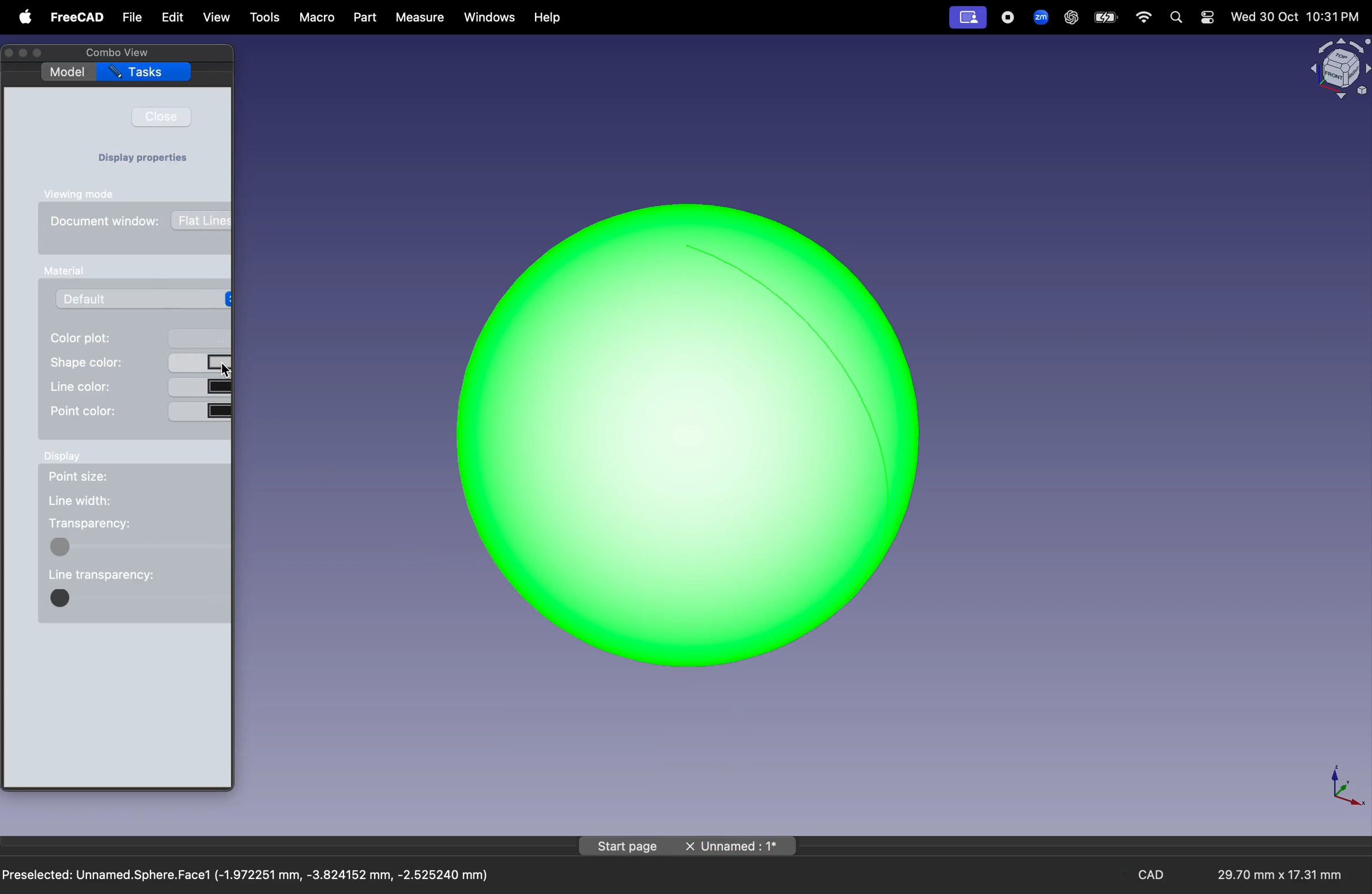  What do you see at coordinates (170, 17) in the screenshot?
I see `edit` at bounding box center [170, 17].